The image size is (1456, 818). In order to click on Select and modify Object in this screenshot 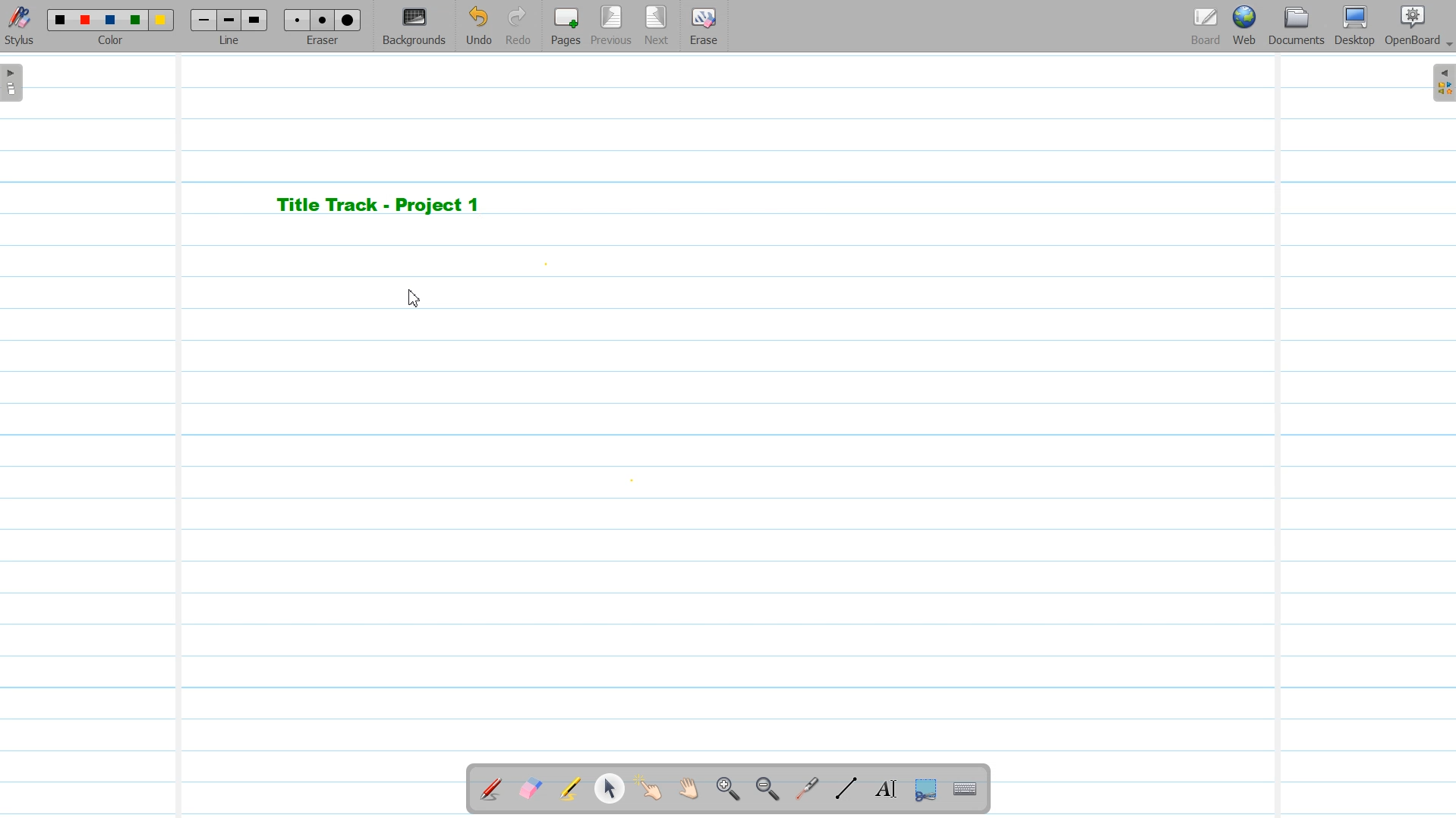, I will do `click(610, 788)`.